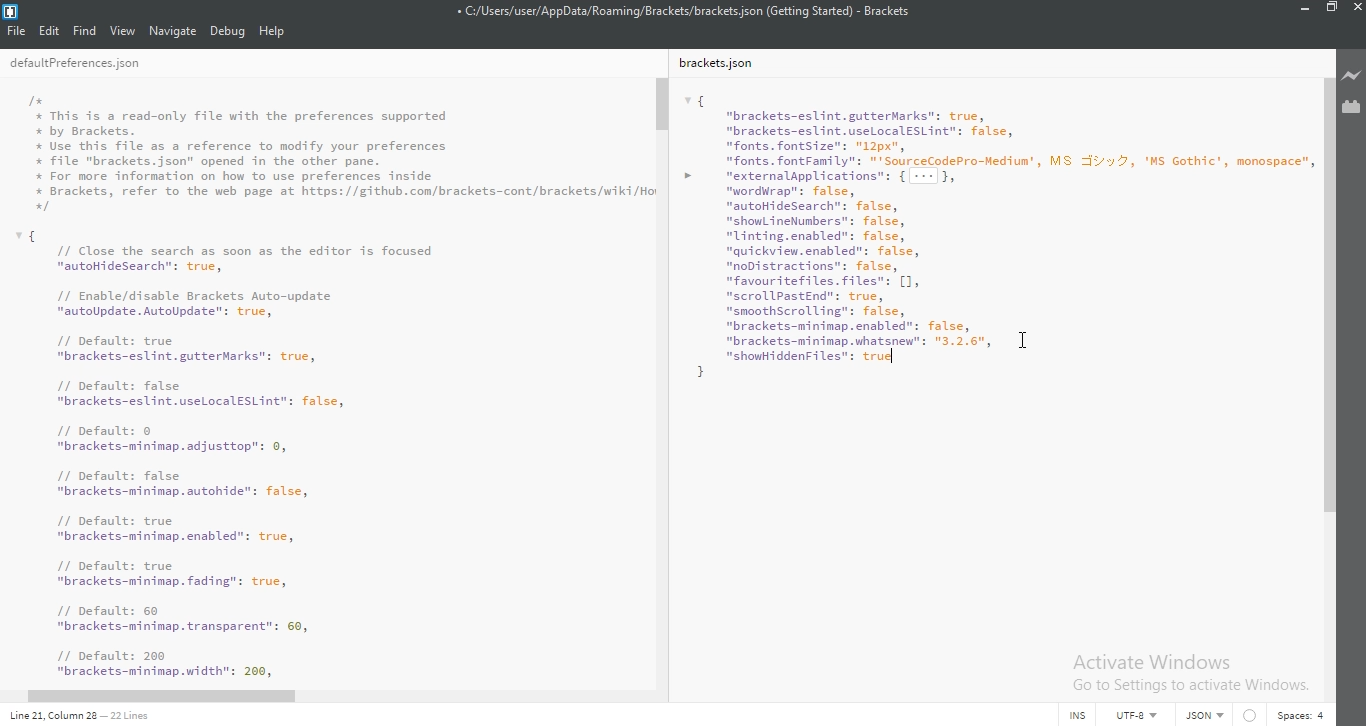 The width and height of the screenshot is (1366, 726). Describe the element at coordinates (997, 216) in the screenshot. I see `1
“brackets-eslint.gutterMarks": true,
“brackets-eslint.useLocalESLint": false,
“fonts. fontsize": "12px",
“fonts. fontFamily": "'SourceCodePro-Mediun', MS Tf/y2, 'MS Gothic’, monospace"

> vexternalpplications™: {|---|},
“wordwrap": false,
“autoMideSearch”: false,
“shoul ineNumbers": false,
“Uinting.enabled": false,
“quickview.enabled”: false,
“nobistractions": false,
“favouritefiles. files": [1,
“scrollPastEnd’: true,
“smoothscrolling": false,
“brackets-mininap. enabled": false,

: "brackets-minimap.whatsnew": "3.2.6", J` at that location.